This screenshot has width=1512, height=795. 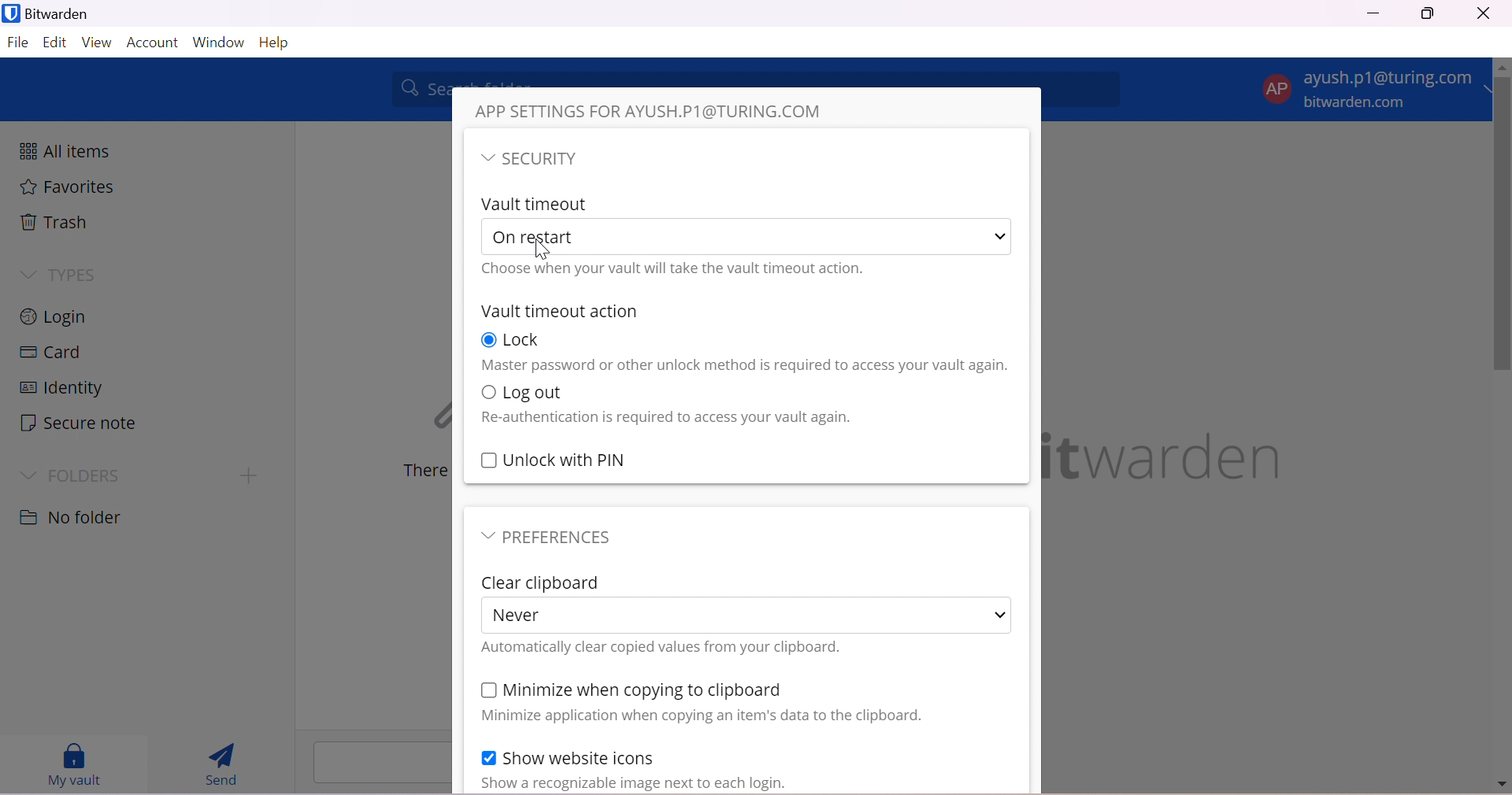 I want to click on Minimize when copying to clipboard., so click(x=643, y=690).